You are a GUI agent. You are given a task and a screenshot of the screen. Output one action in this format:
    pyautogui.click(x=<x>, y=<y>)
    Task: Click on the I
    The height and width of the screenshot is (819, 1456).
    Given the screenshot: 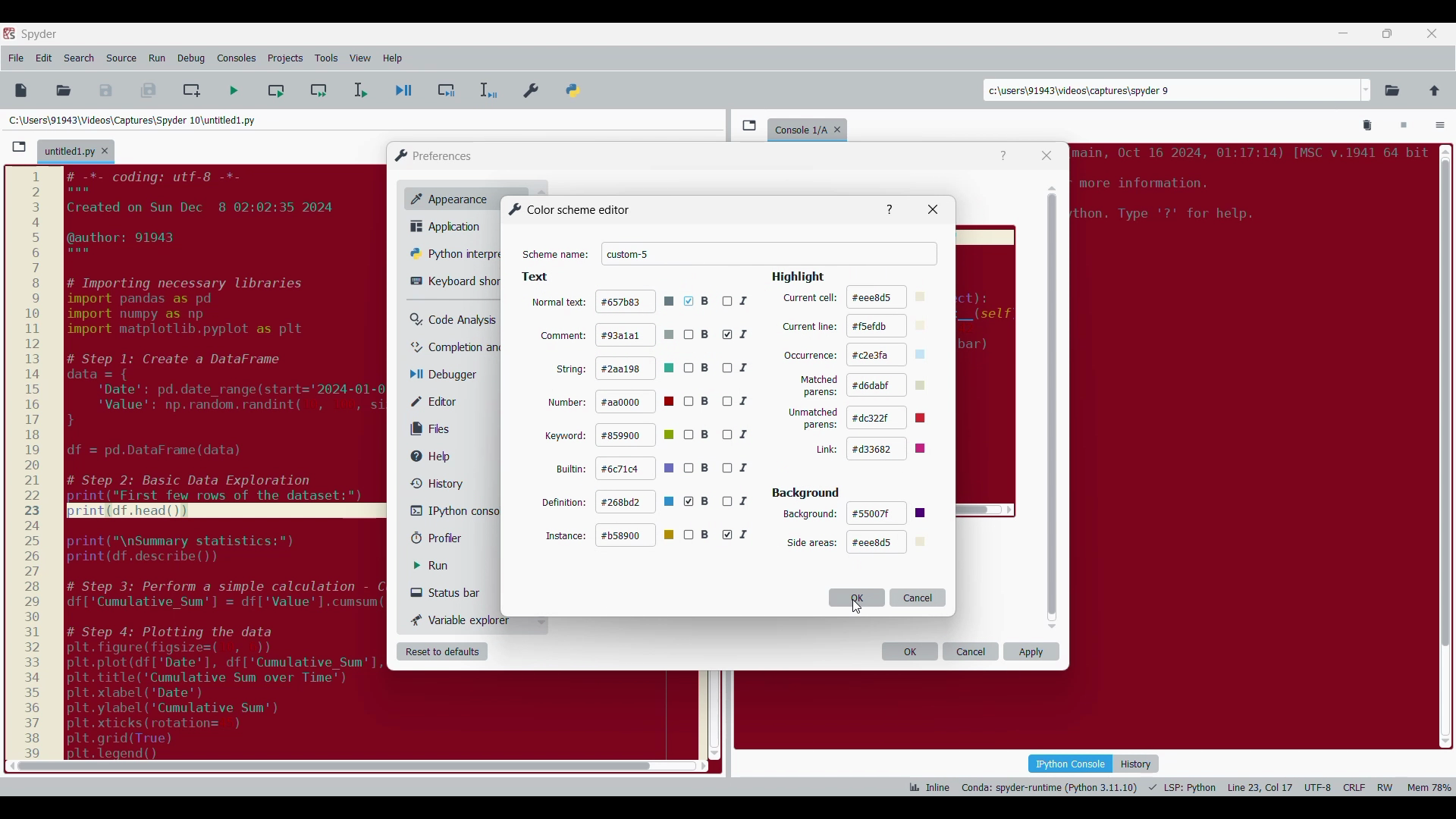 What is the action you would take?
    pyautogui.click(x=736, y=334)
    